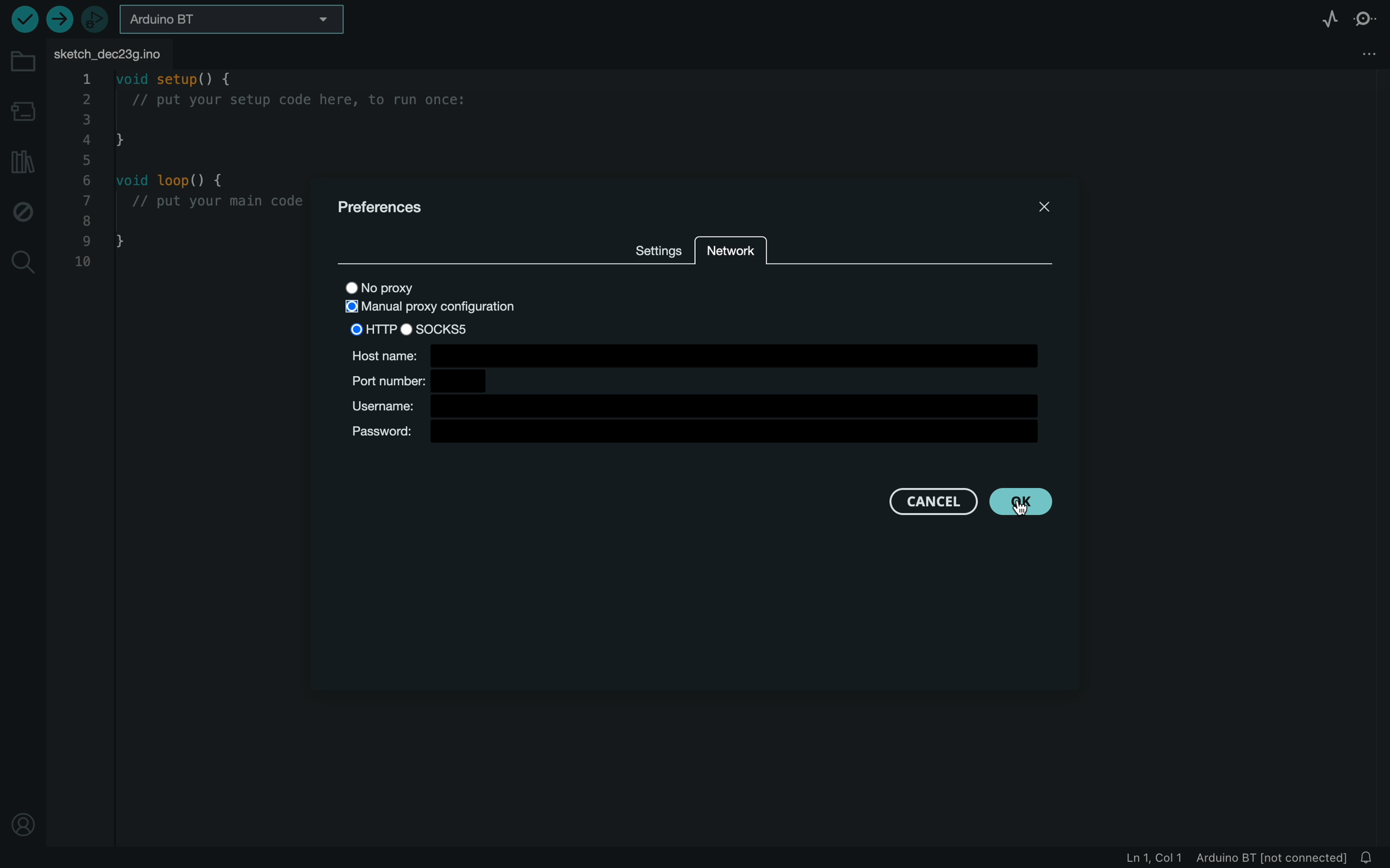 This screenshot has width=1390, height=868. What do you see at coordinates (1023, 505) in the screenshot?
I see `cursor` at bounding box center [1023, 505].